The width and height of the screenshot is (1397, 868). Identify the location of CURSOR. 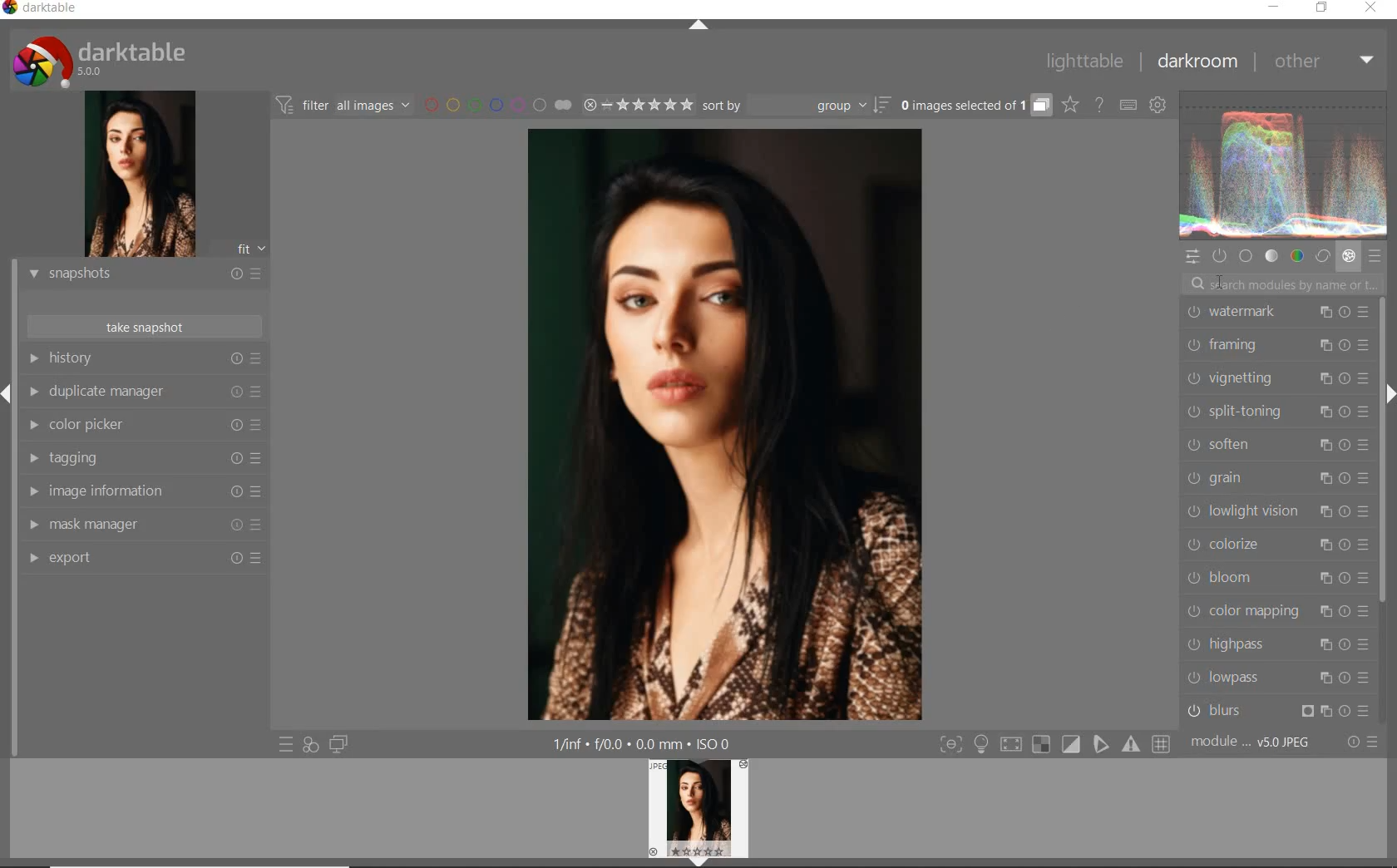
(1225, 284).